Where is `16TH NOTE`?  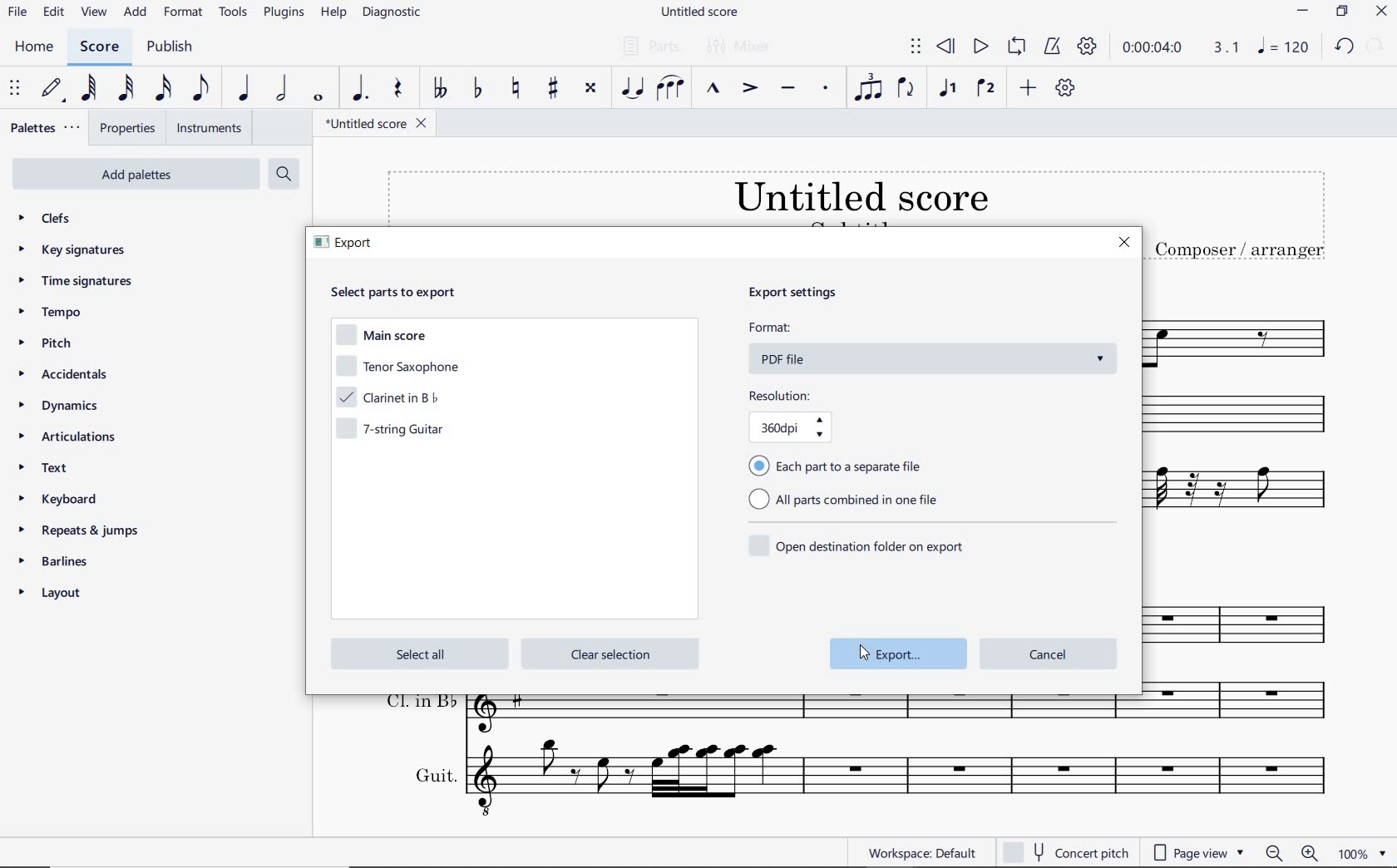
16TH NOTE is located at coordinates (165, 89).